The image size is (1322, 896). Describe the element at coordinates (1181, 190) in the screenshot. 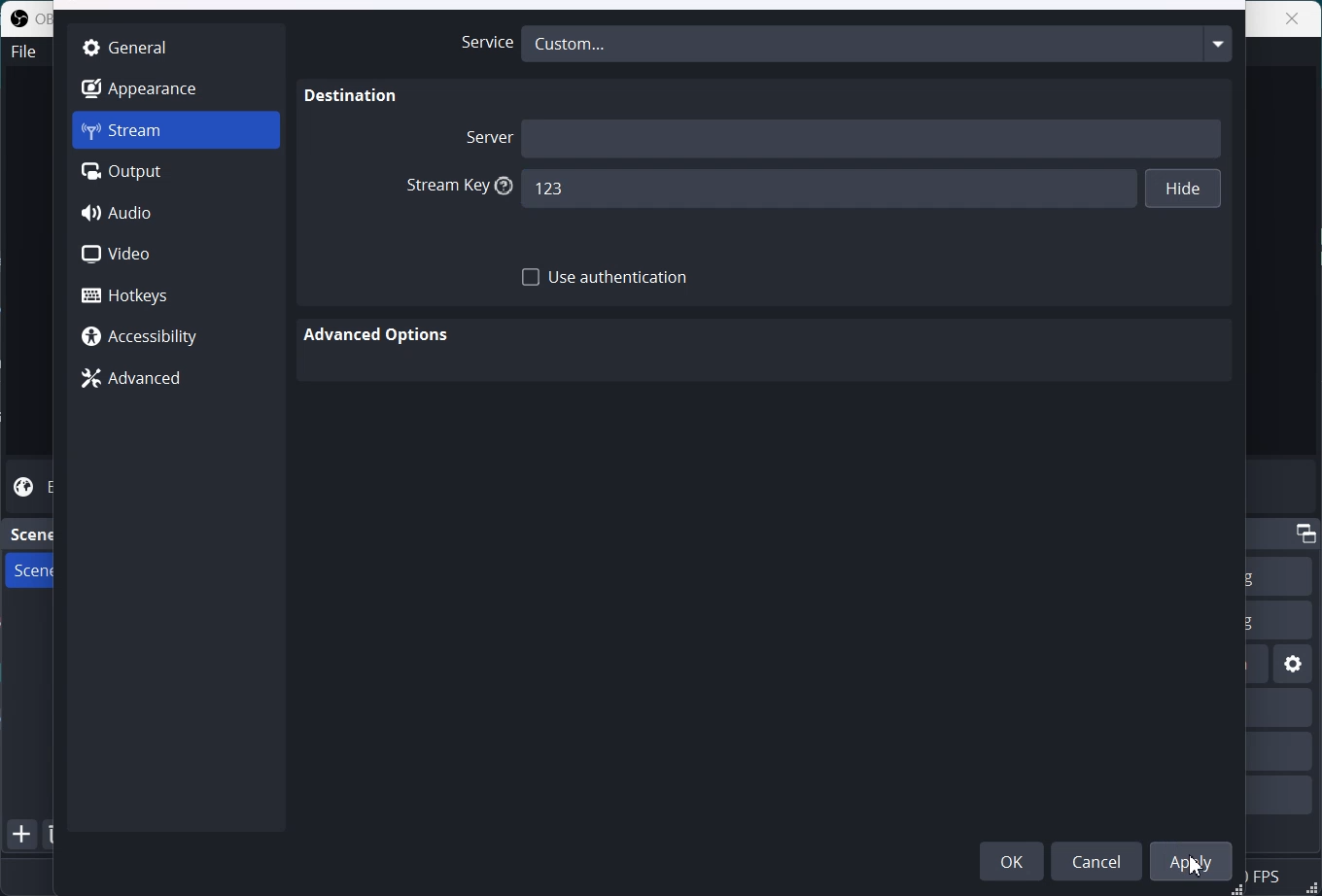

I see `Hide` at that location.